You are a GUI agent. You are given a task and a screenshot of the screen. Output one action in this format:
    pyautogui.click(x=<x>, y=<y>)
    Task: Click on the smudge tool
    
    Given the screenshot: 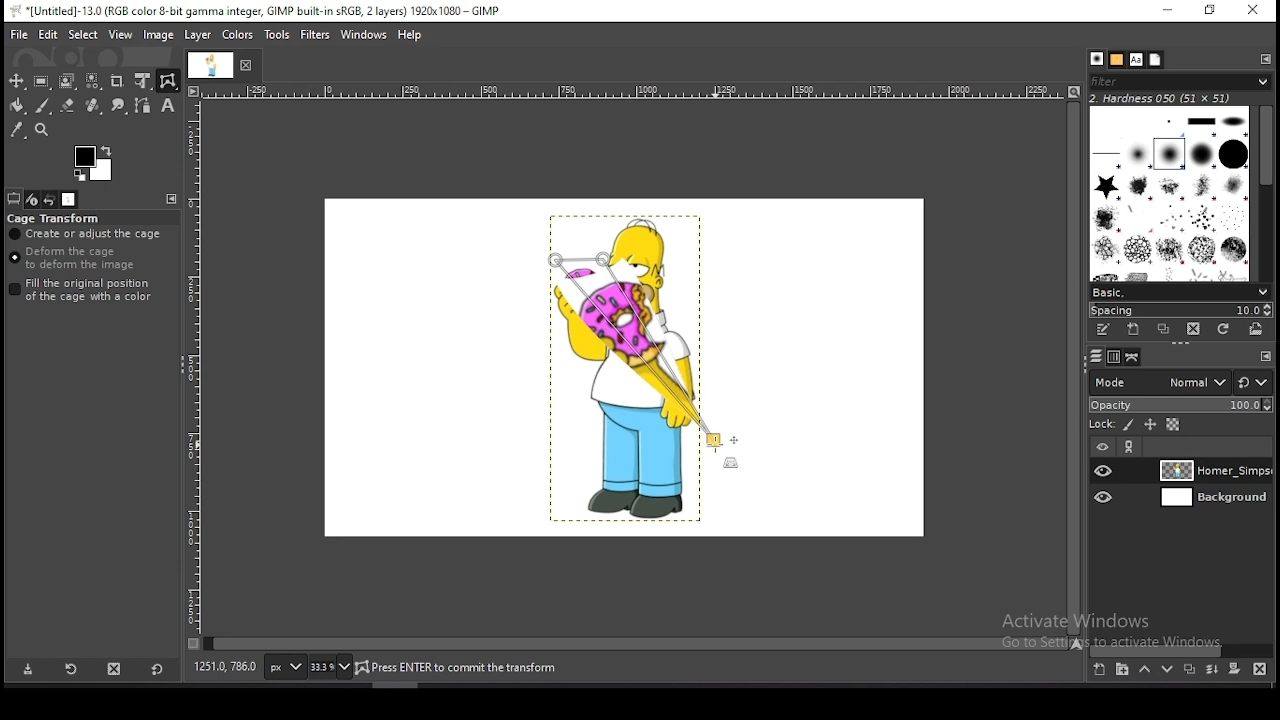 What is the action you would take?
    pyautogui.click(x=117, y=105)
    